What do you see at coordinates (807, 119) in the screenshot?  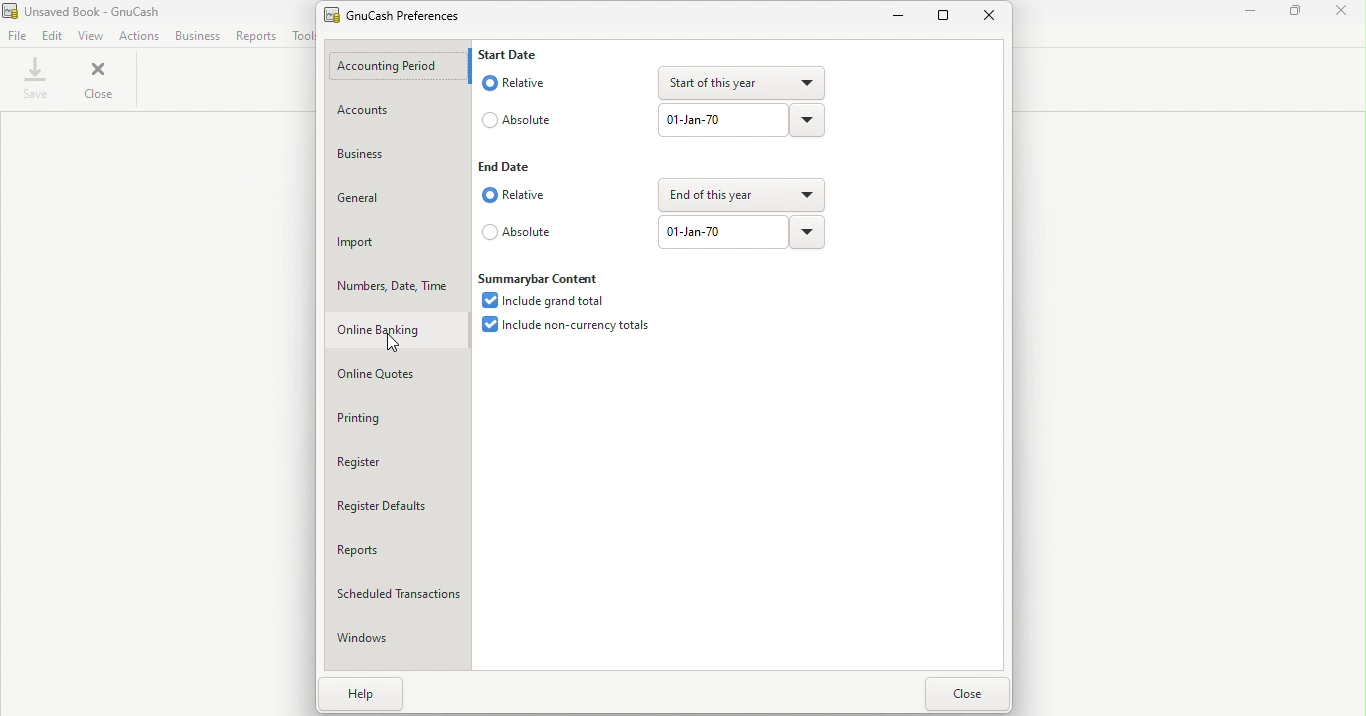 I see `Drop down` at bounding box center [807, 119].